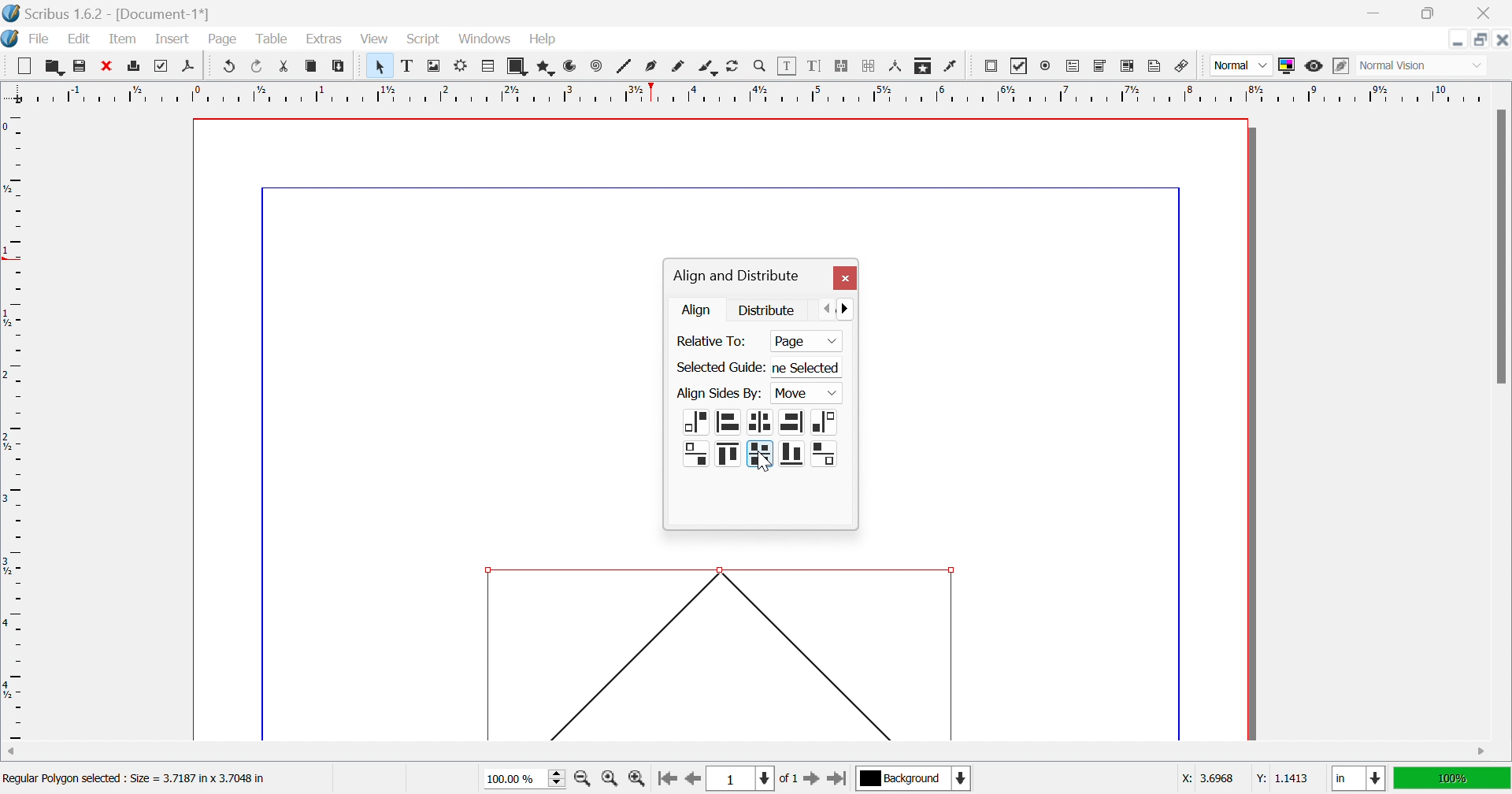 This screenshot has height=794, width=1512. Describe the element at coordinates (1048, 64) in the screenshot. I see `PDF radio button` at that location.